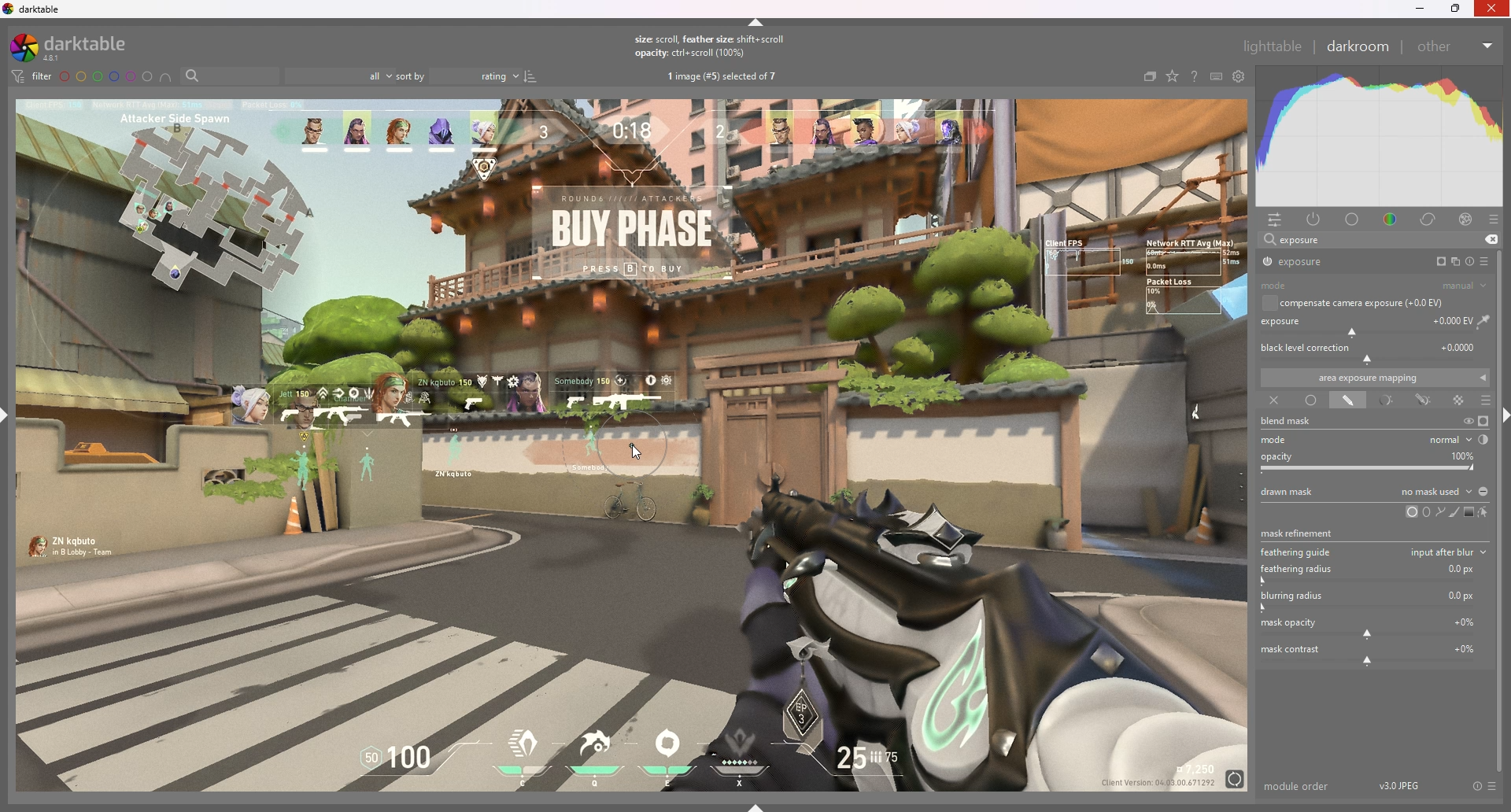 This screenshot has height=812, width=1511. Describe the element at coordinates (1483, 422) in the screenshot. I see `display mask` at that location.